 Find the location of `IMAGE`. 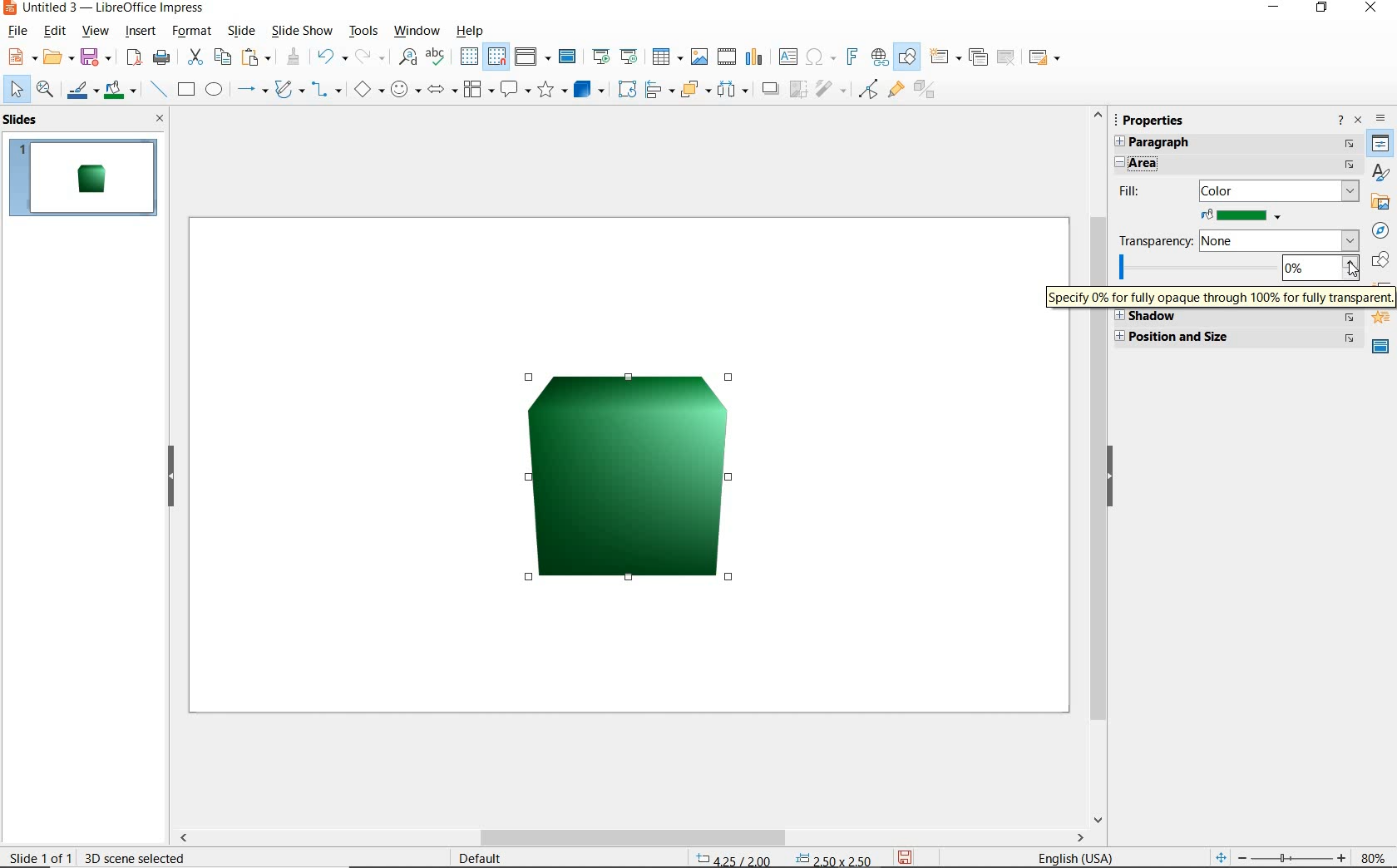

IMAGE is located at coordinates (626, 476).